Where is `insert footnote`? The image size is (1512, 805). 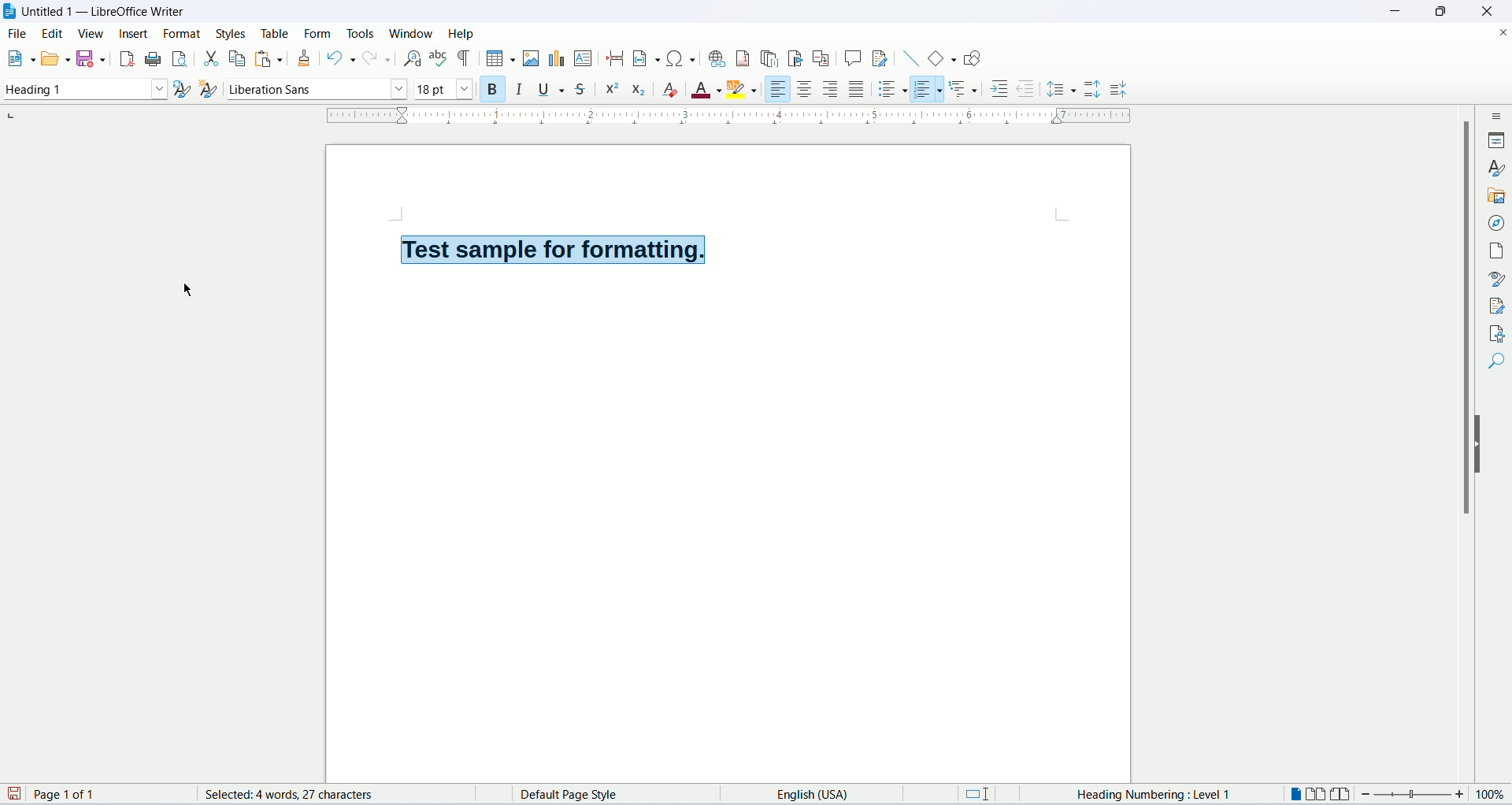 insert footnote is located at coordinates (744, 58).